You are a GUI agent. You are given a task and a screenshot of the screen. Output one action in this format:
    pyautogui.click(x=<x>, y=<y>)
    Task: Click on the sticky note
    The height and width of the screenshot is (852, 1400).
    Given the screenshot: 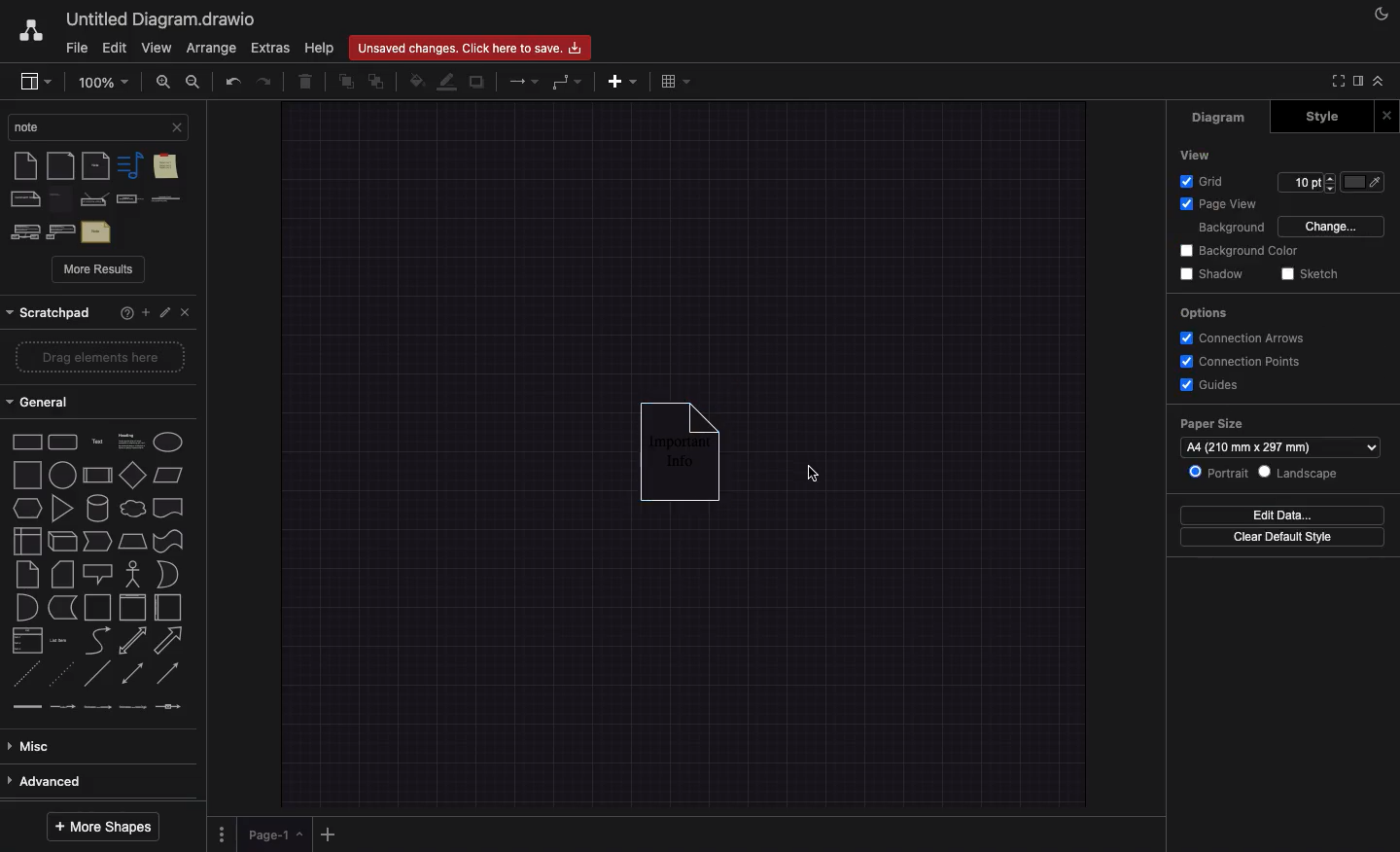 What is the action you would take?
    pyautogui.click(x=164, y=168)
    